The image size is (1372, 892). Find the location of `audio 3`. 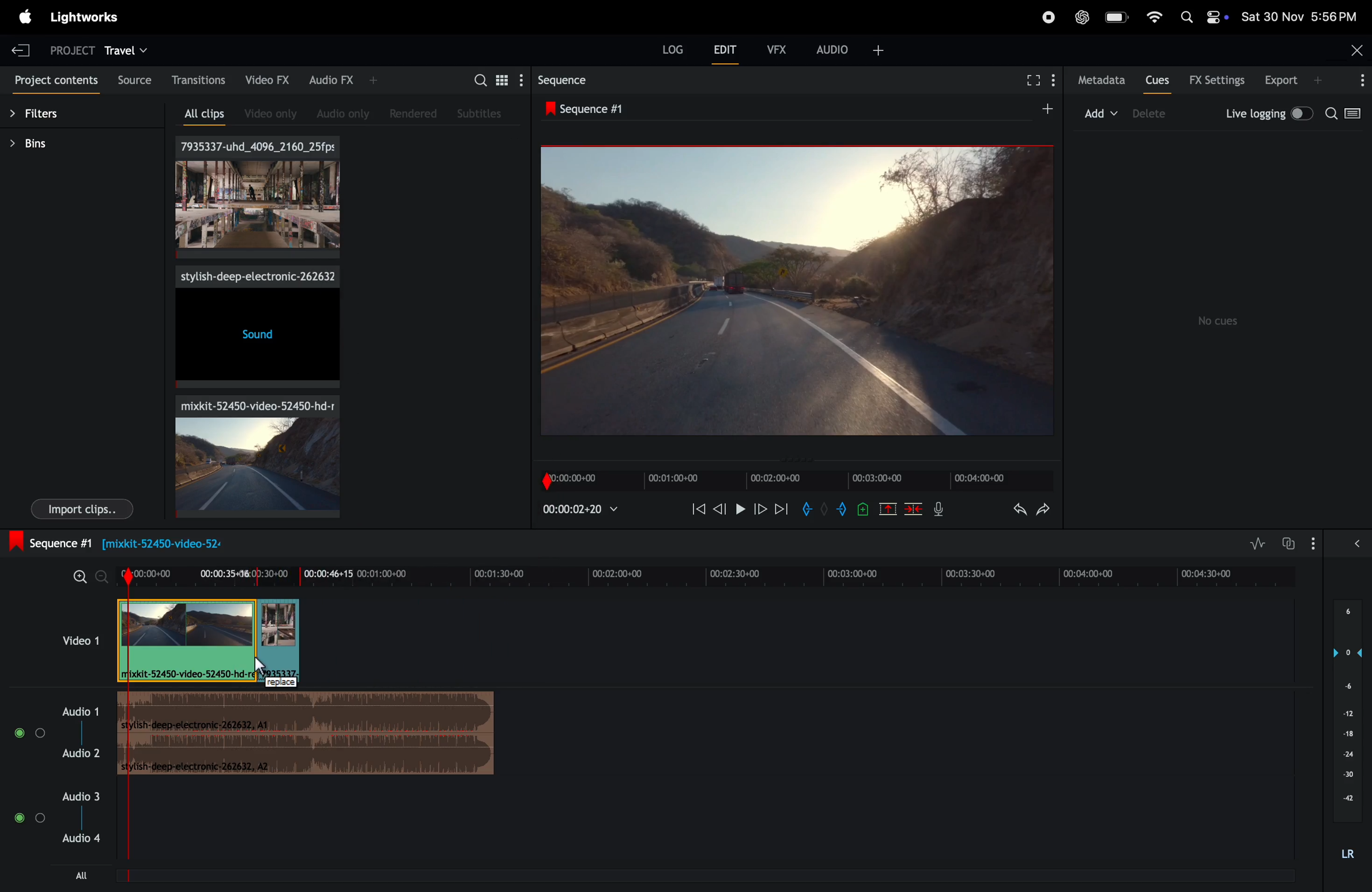

audio 3 is located at coordinates (58, 833).